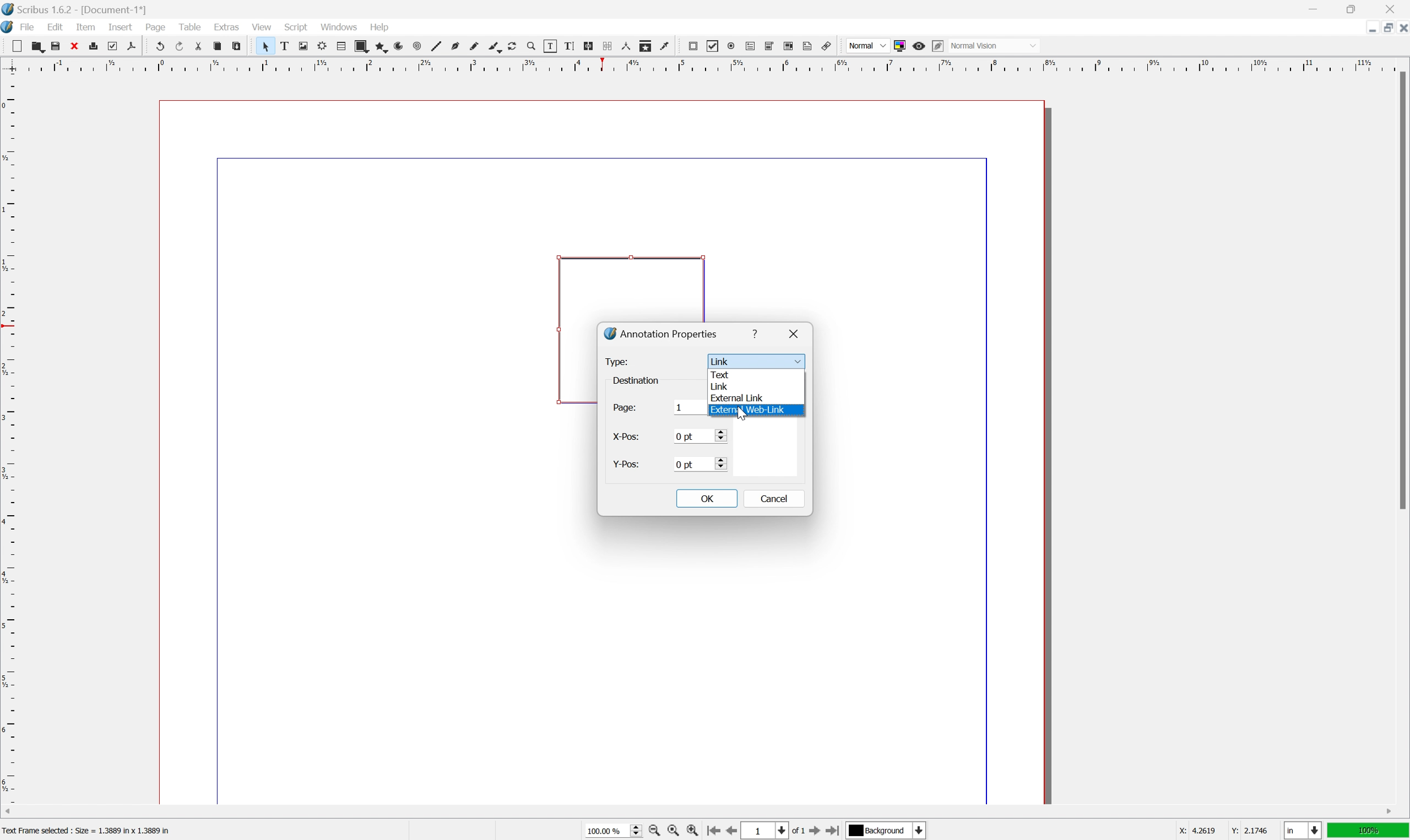 This screenshot has width=1410, height=840. What do you see at coordinates (266, 46) in the screenshot?
I see `select item` at bounding box center [266, 46].